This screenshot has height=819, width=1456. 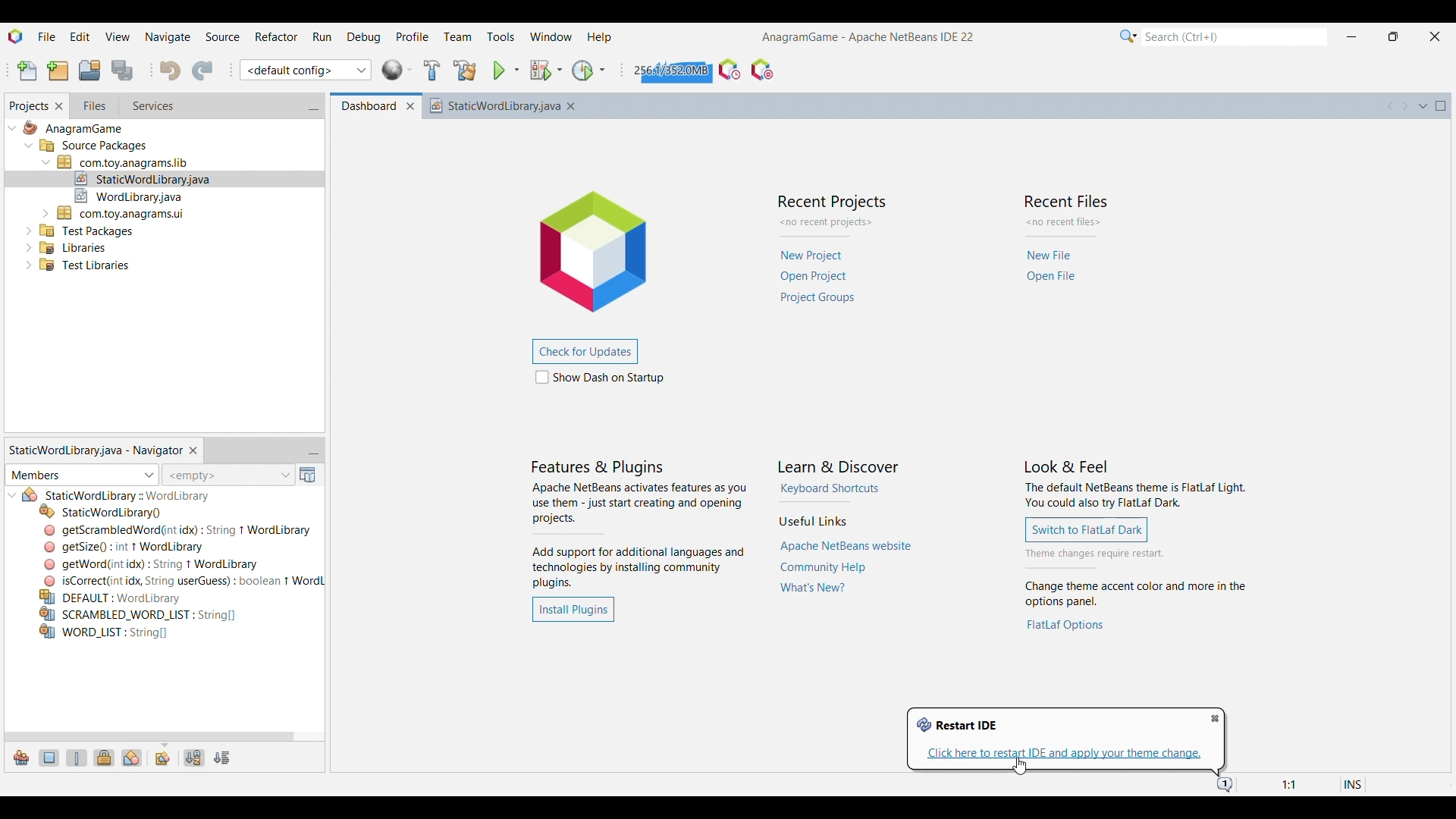 What do you see at coordinates (322, 36) in the screenshot?
I see `Run menu` at bounding box center [322, 36].